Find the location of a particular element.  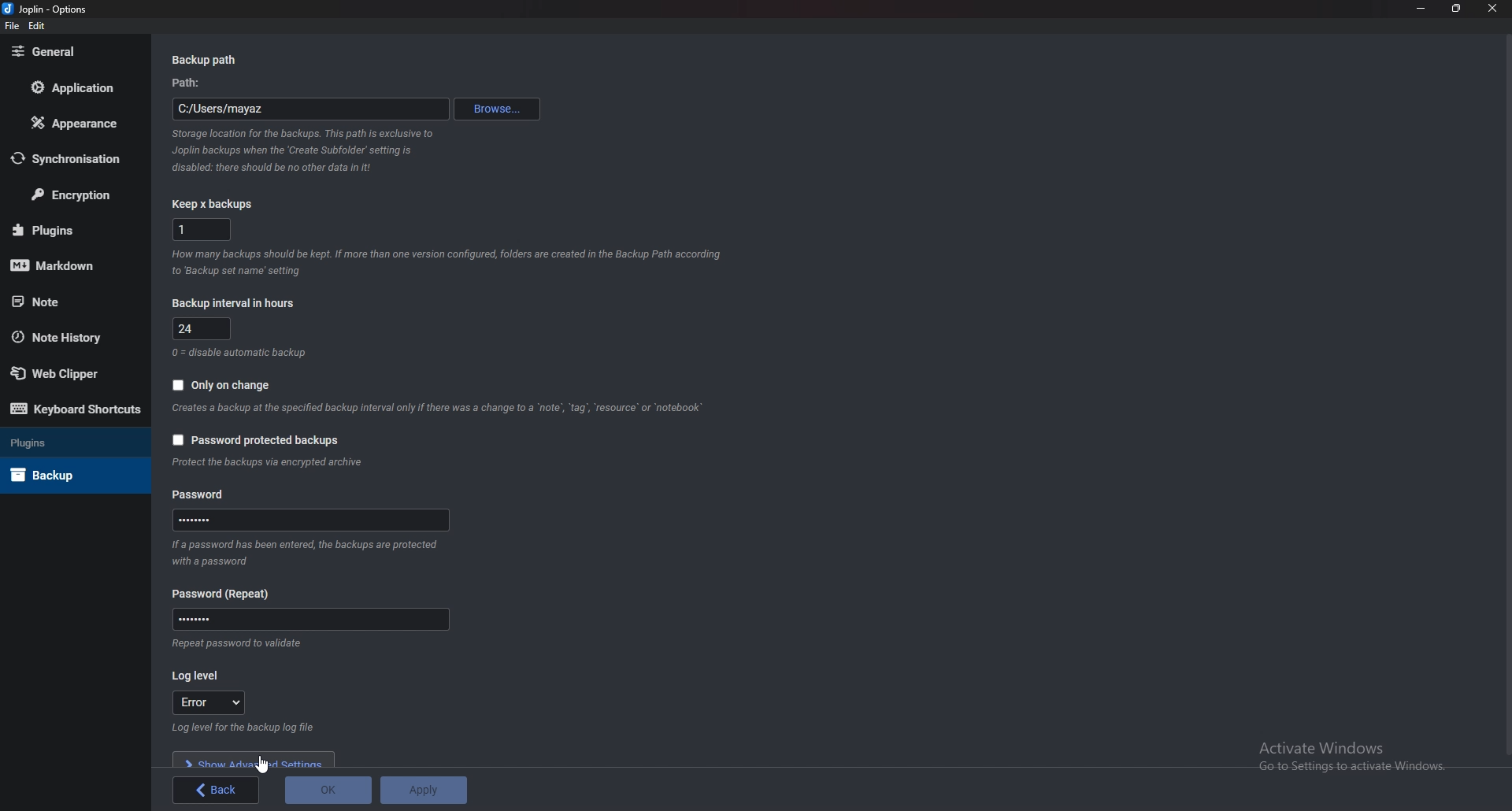

back is located at coordinates (218, 789).